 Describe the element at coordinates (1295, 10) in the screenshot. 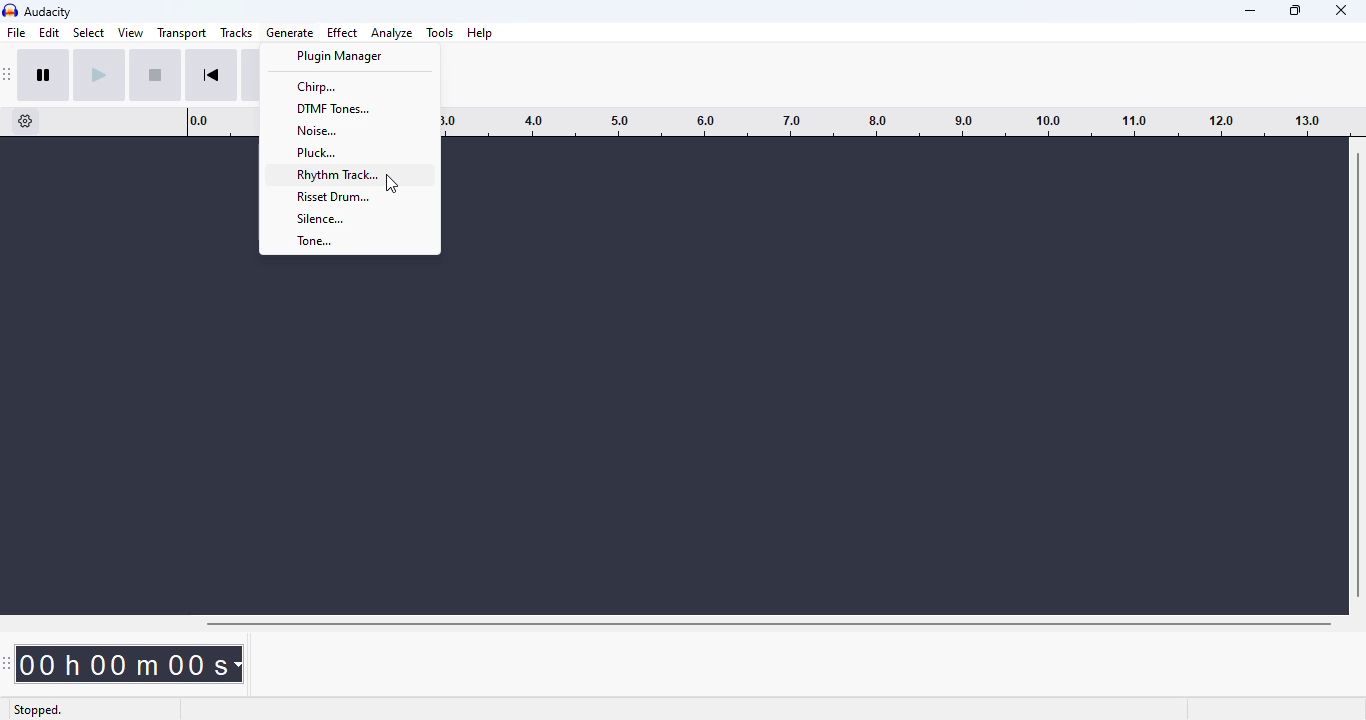

I see `maximize` at that location.